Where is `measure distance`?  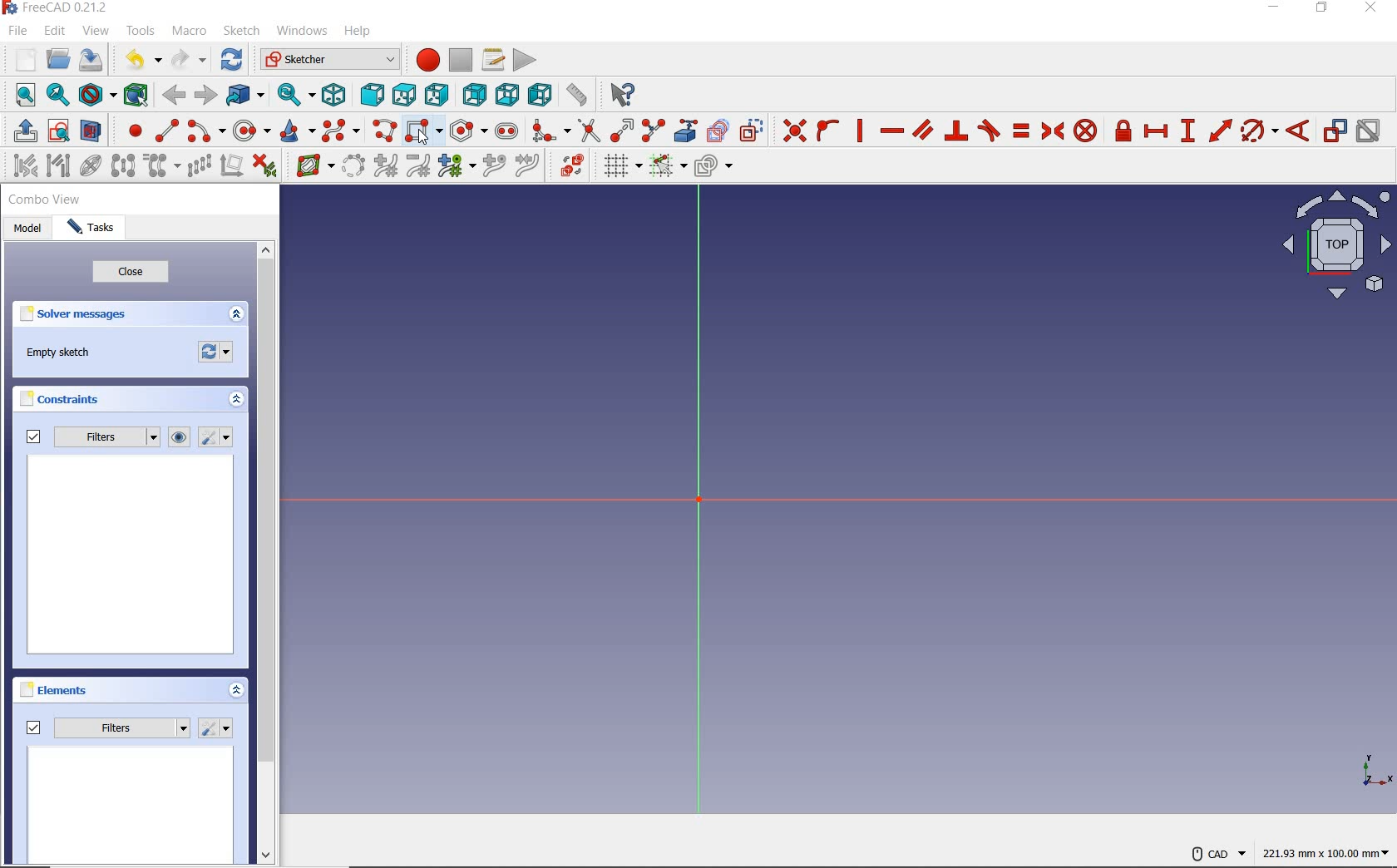 measure distance is located at coordinates (576, 95).